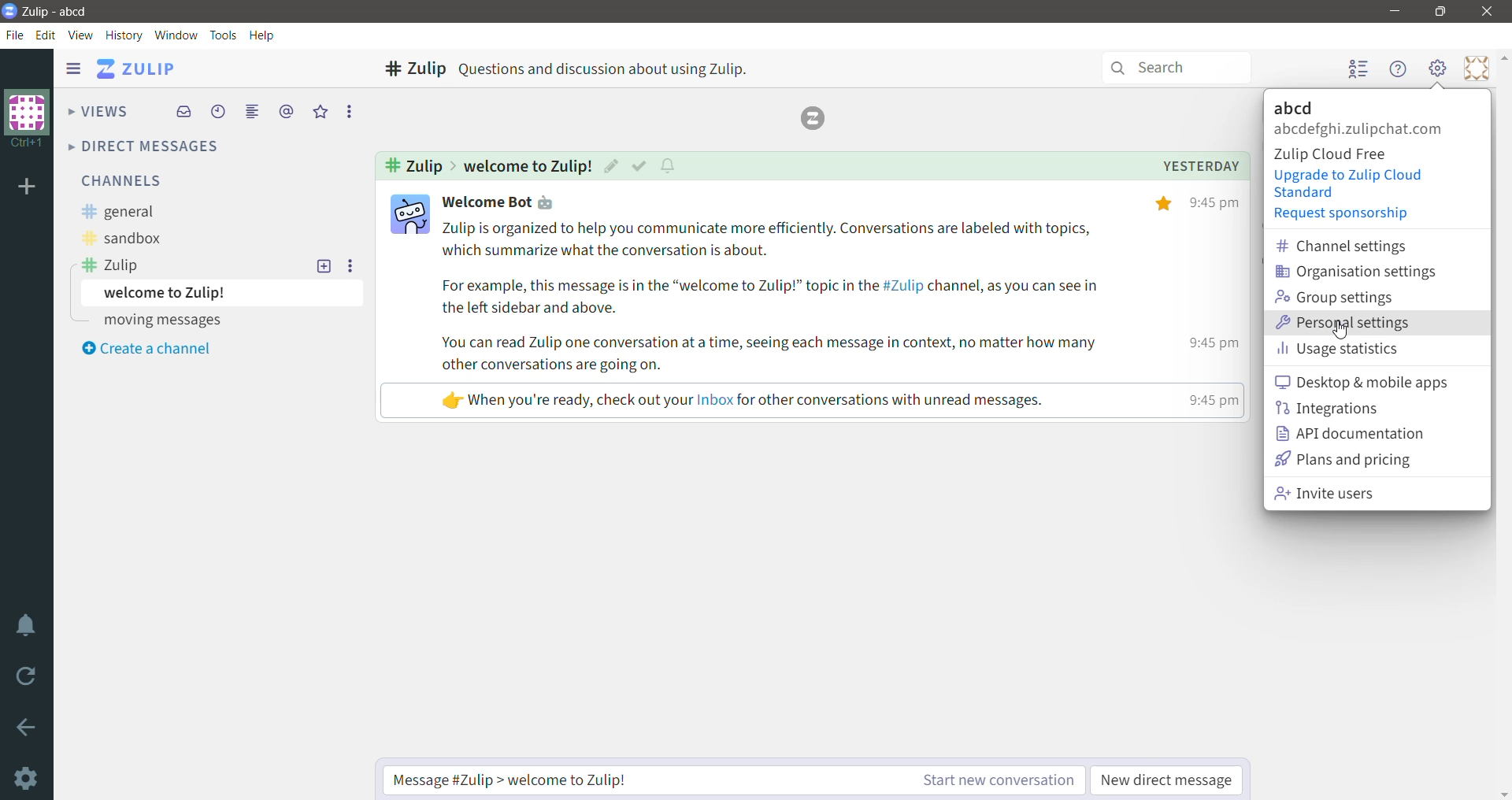 Image resolution: width=1512 pixels, height=800 pixels. I want to click on API Documentation, so click(1353, 434).